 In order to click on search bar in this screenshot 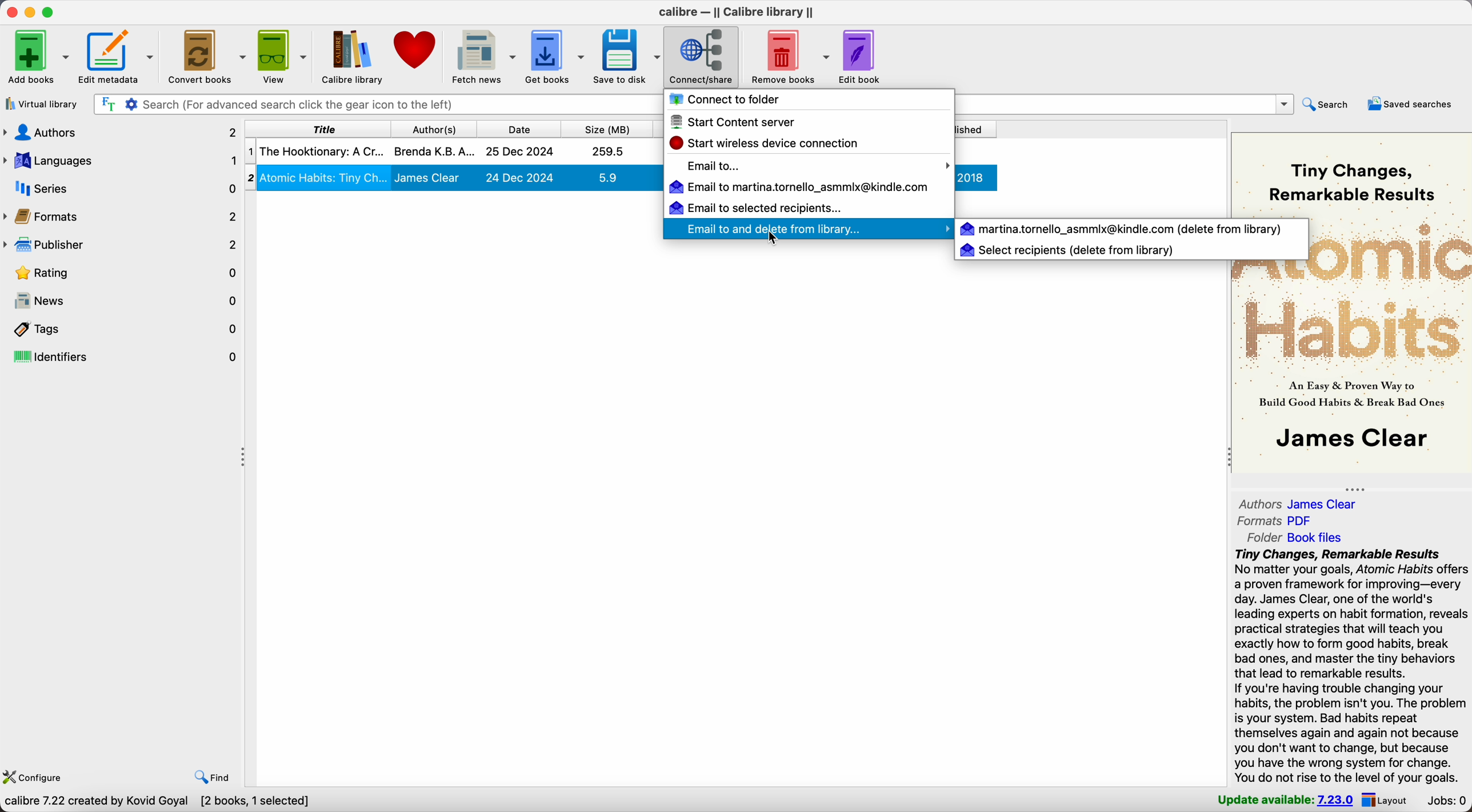, I will do `click(1123, 104)`.